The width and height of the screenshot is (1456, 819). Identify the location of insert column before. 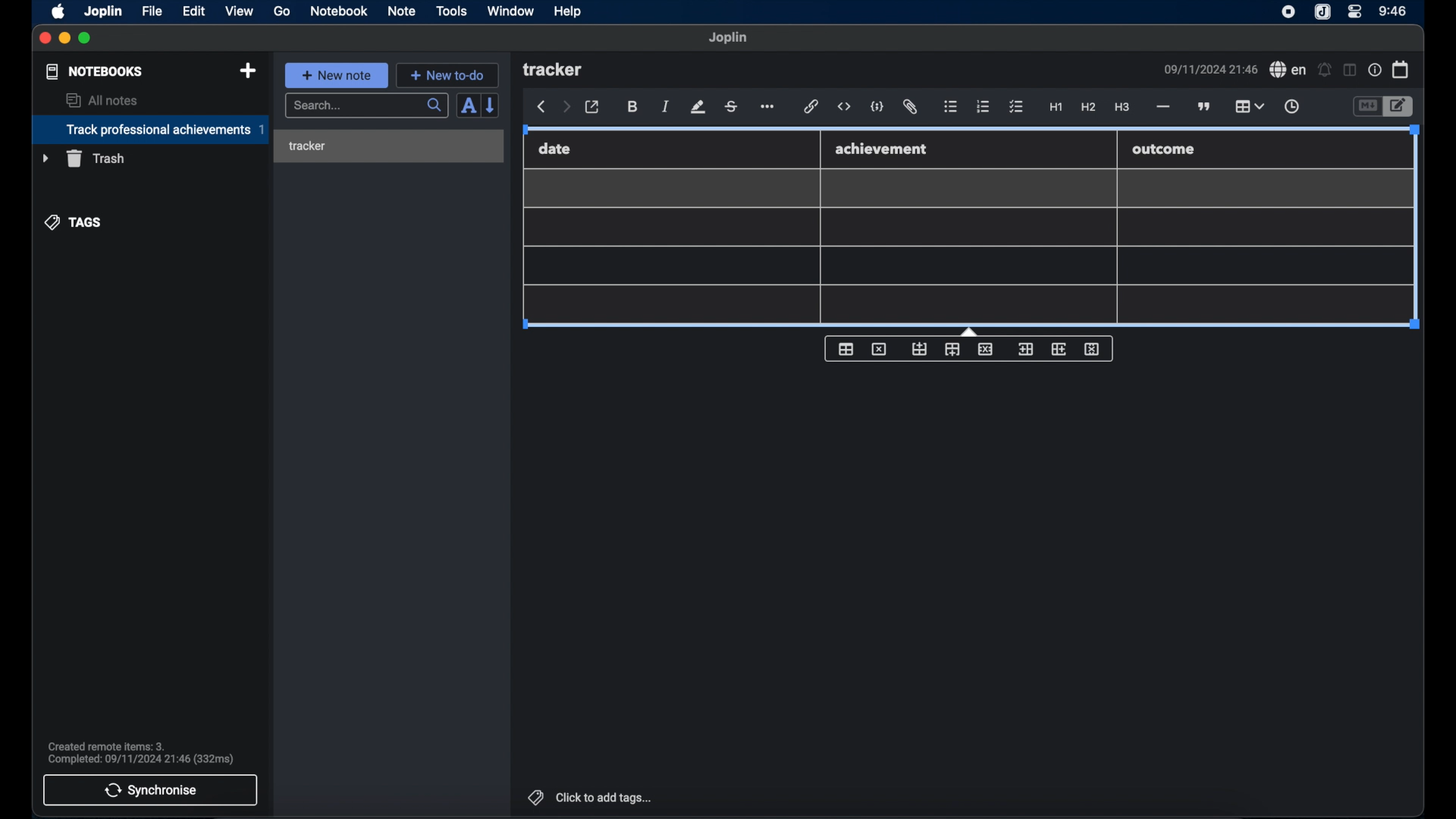
(1025, 349).